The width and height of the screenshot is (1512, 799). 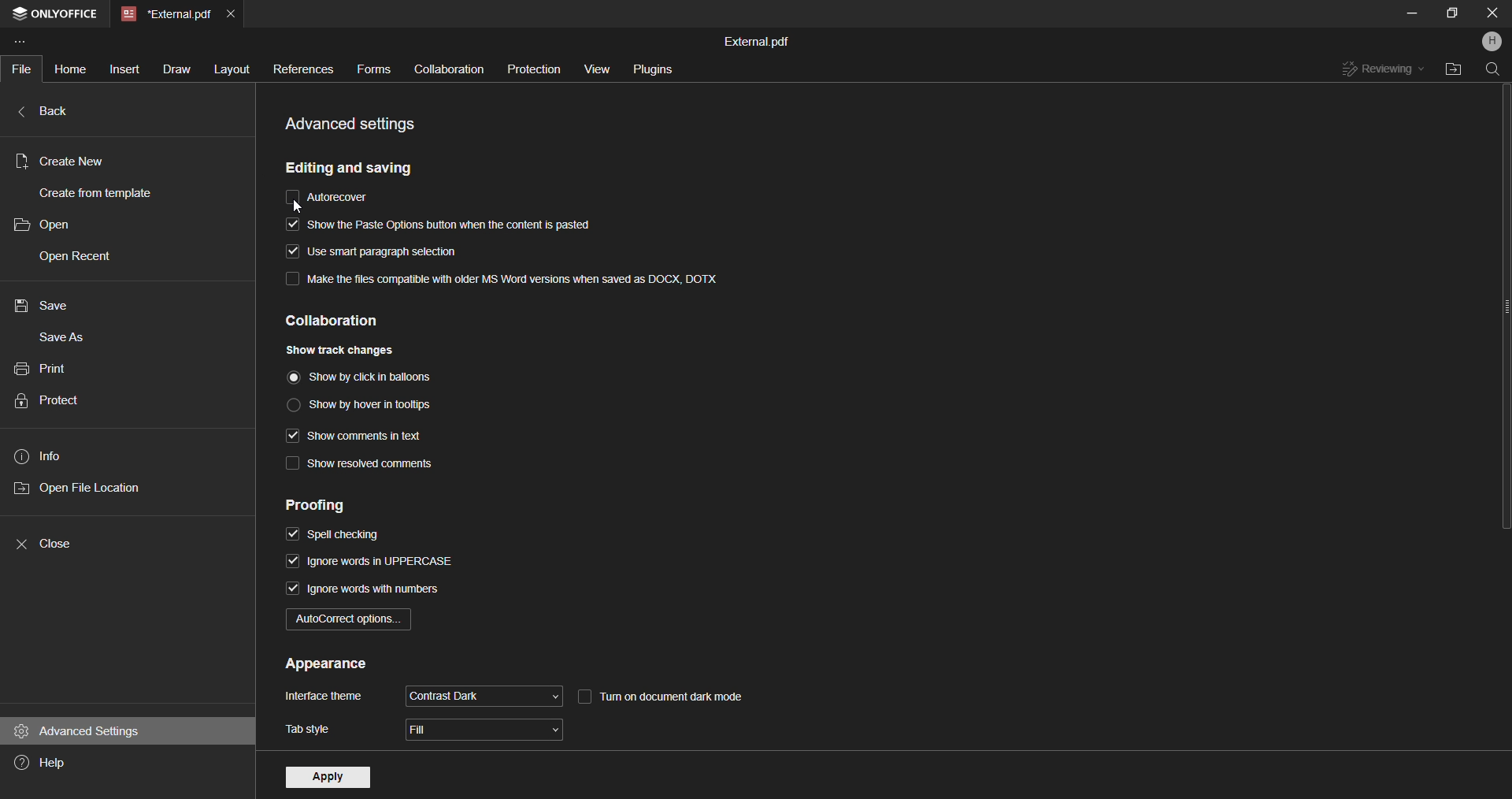 What do you see at coordinates (297, 206) in the screenshot?
I see `cursor` at bounding box center [297, 206].